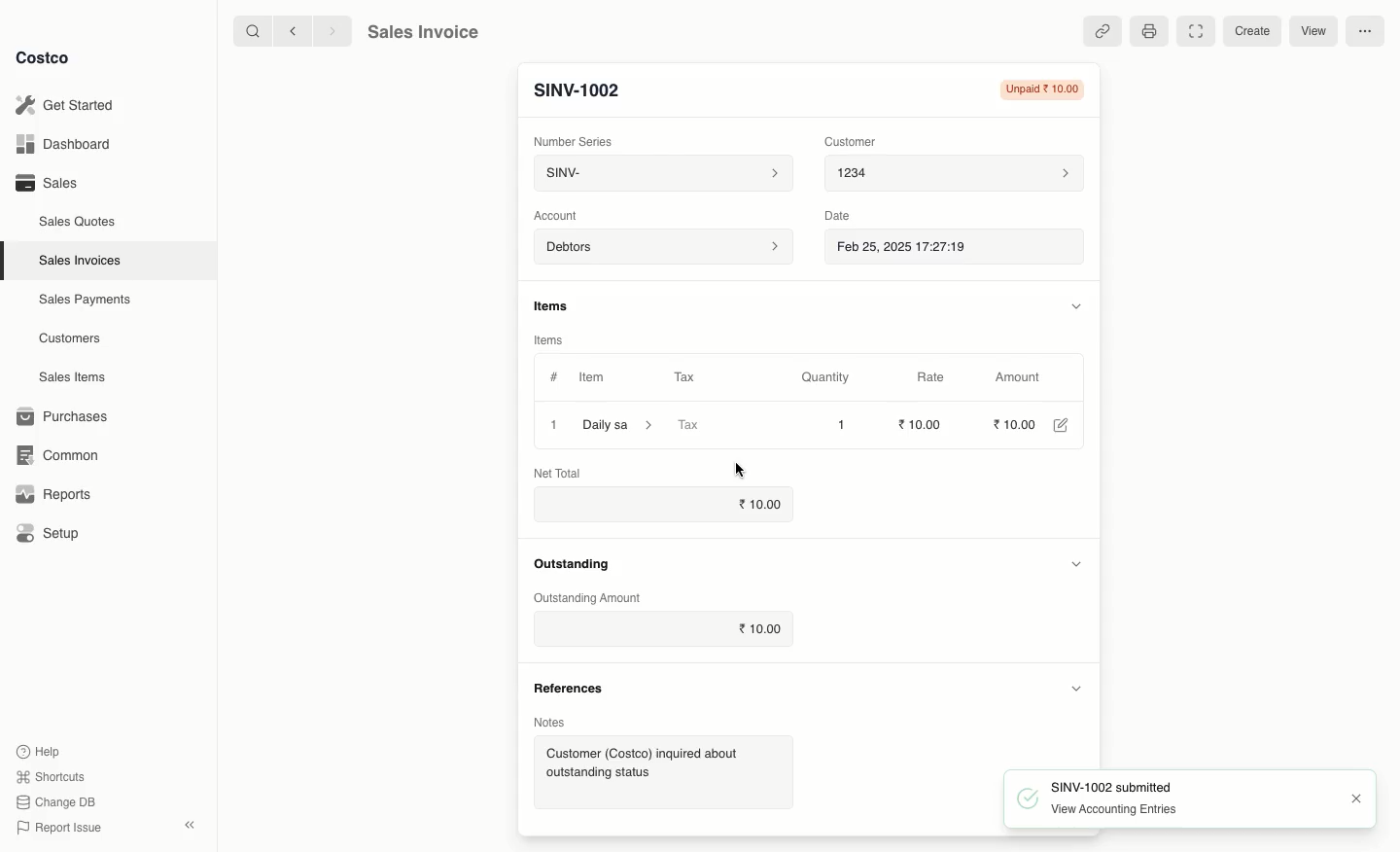 The width and height of the screenshot is (1400, 852). Describe the element at coordinates (576, 563) in the screenshot. I see `Outstanding` at that location.